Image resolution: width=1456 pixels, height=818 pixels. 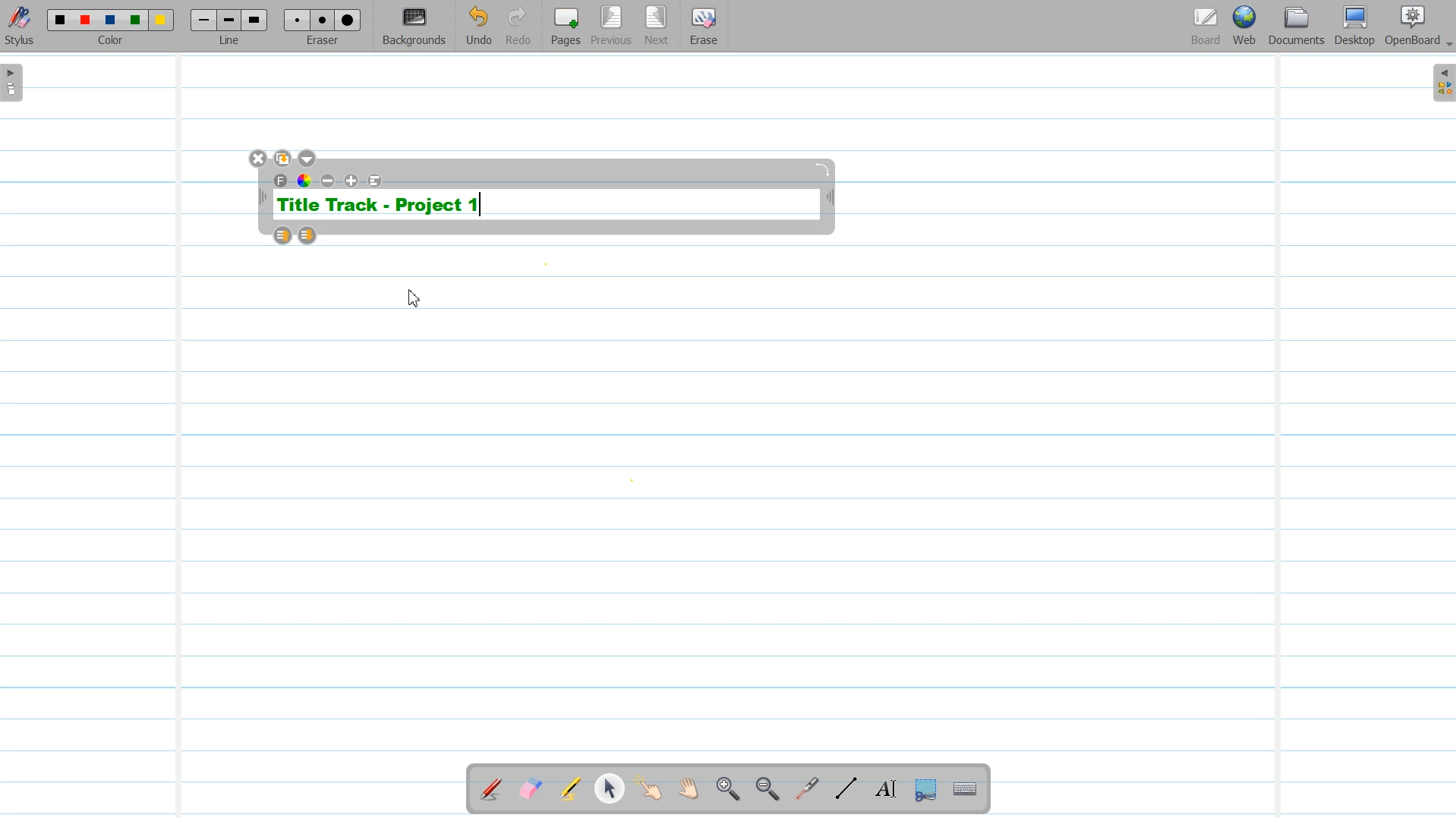 What do you see at coordinates (1447, 45) in the screenshot?
I see `Drop Down Box` at bounding box center [1447, 45].